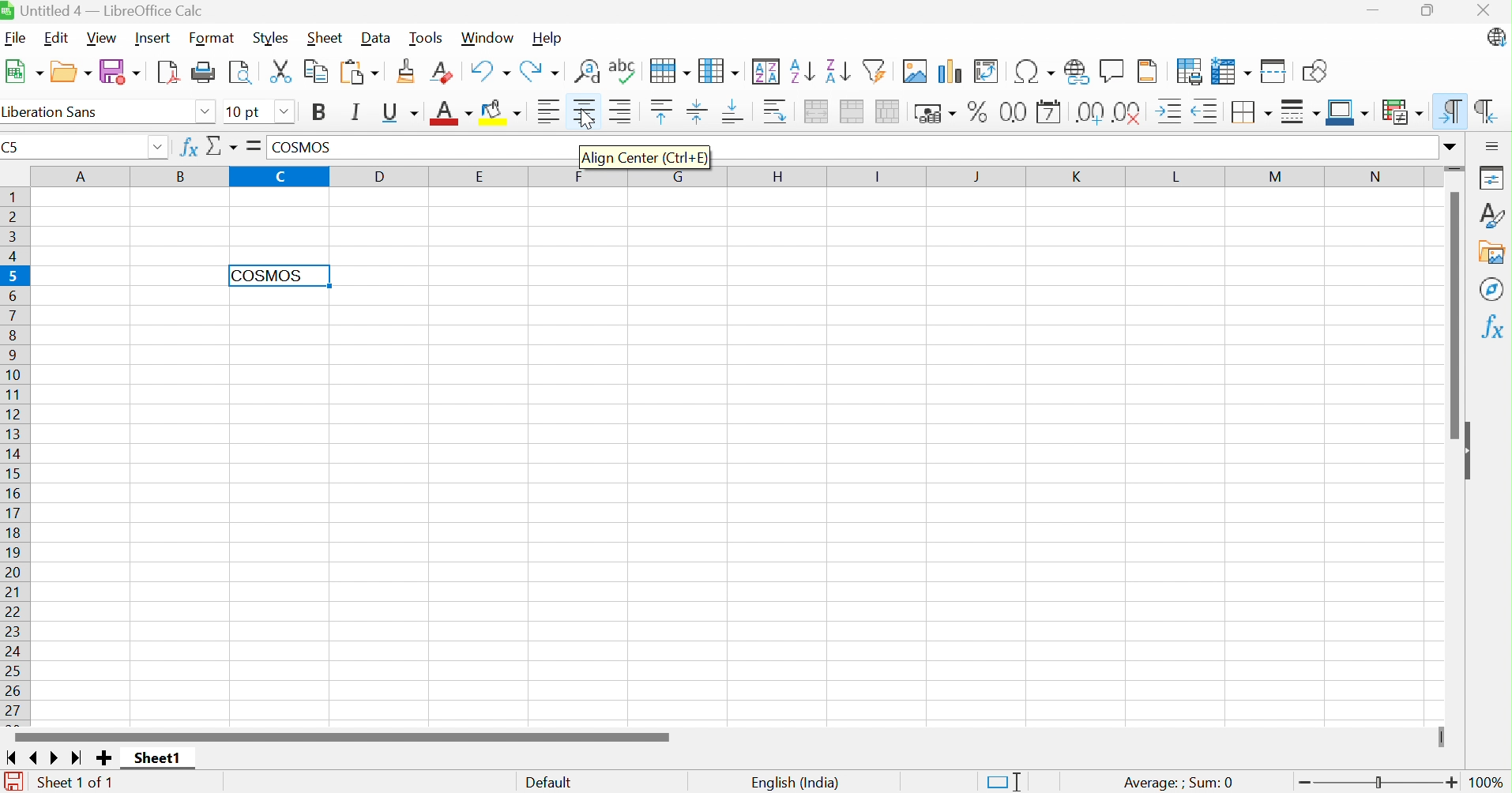  I want to click on Decrease Indent, so click(1206, 113).